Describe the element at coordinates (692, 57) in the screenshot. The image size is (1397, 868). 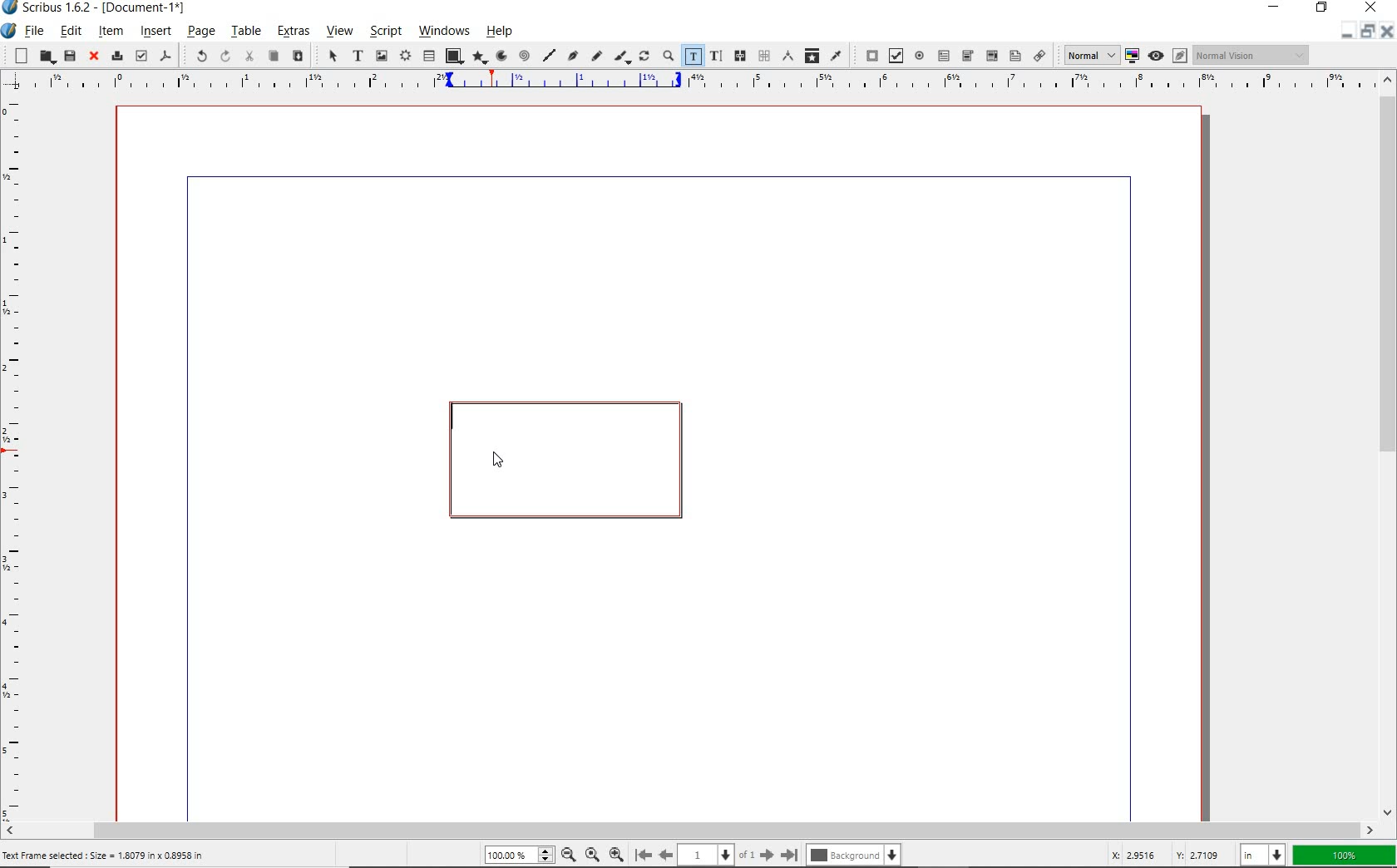
I see `edit contents of frame` at that location.